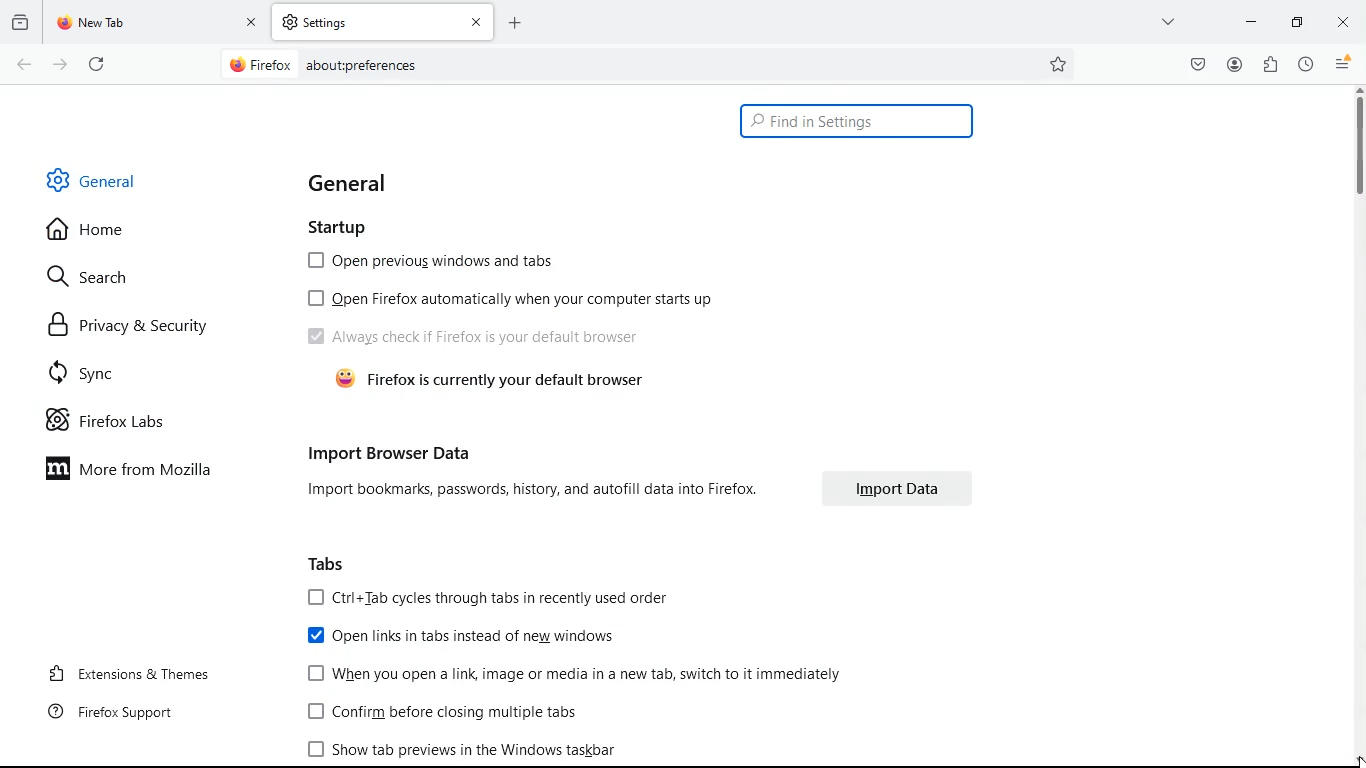  What do you see at coordinates (95, 373) in the screenshot?
I see `sync` at bounding box center [95, 373].